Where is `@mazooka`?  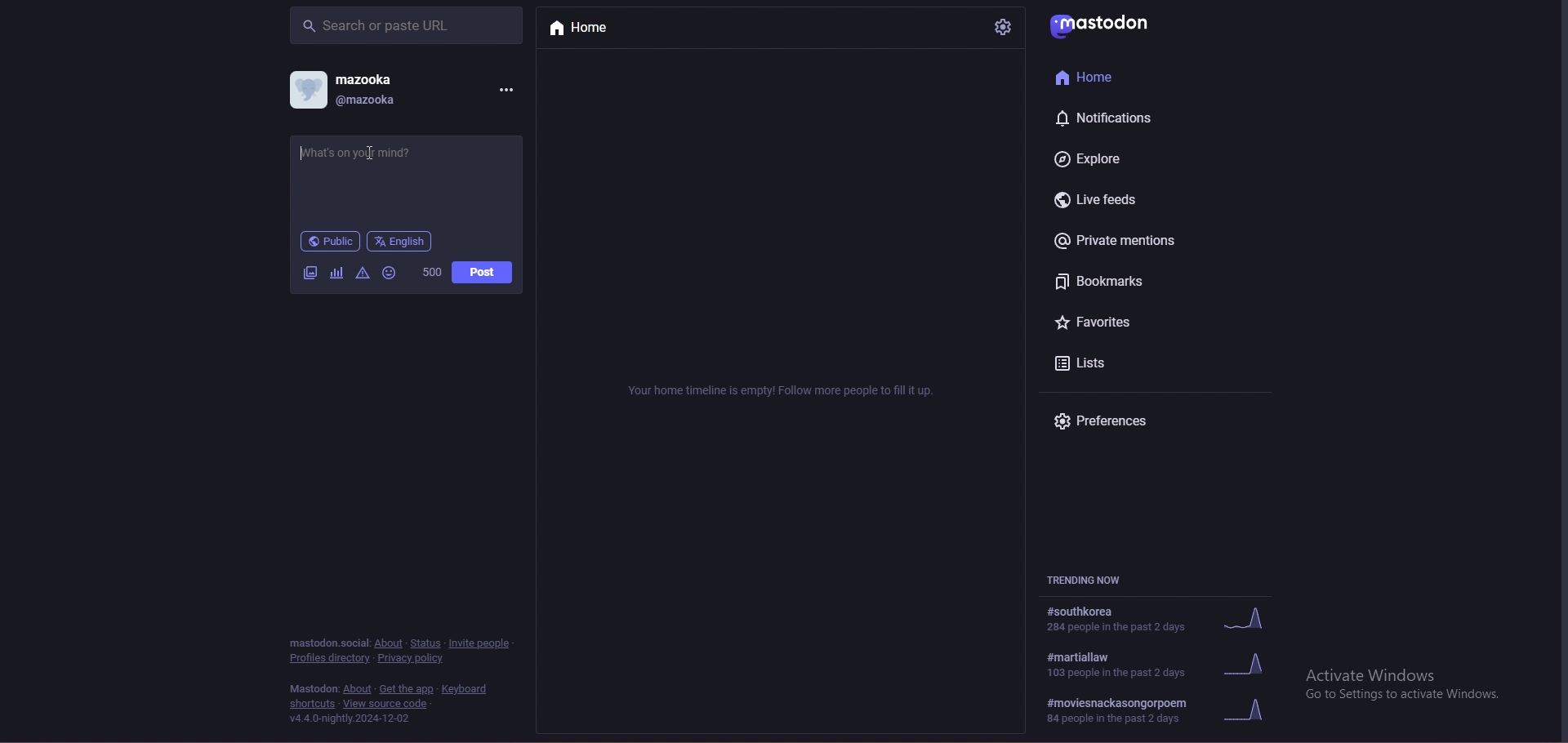
@mazooka is located at coordinates (381, 102).